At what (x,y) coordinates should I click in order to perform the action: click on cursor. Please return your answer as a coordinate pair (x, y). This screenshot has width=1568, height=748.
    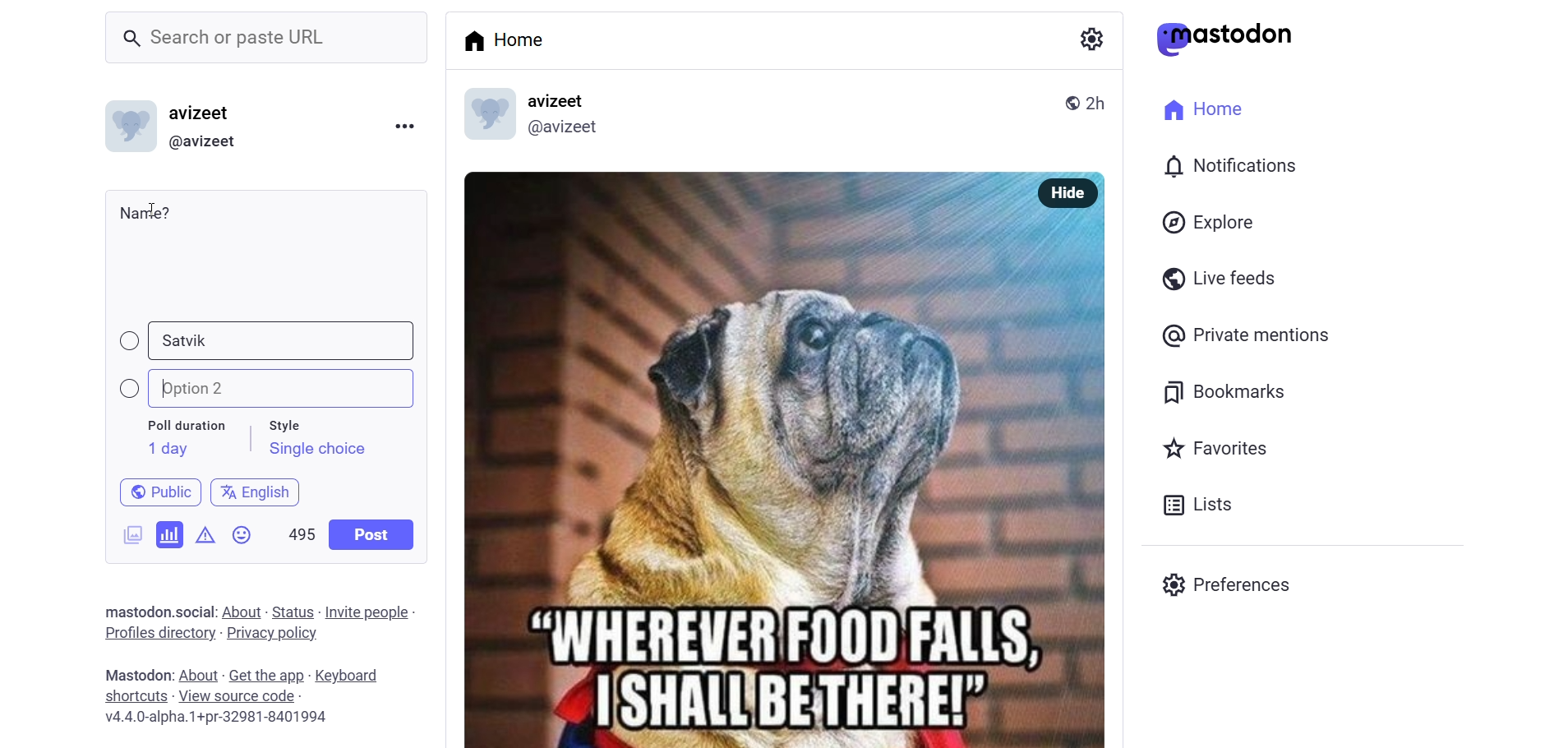
    Looking at the image, I should click on (160, 208).